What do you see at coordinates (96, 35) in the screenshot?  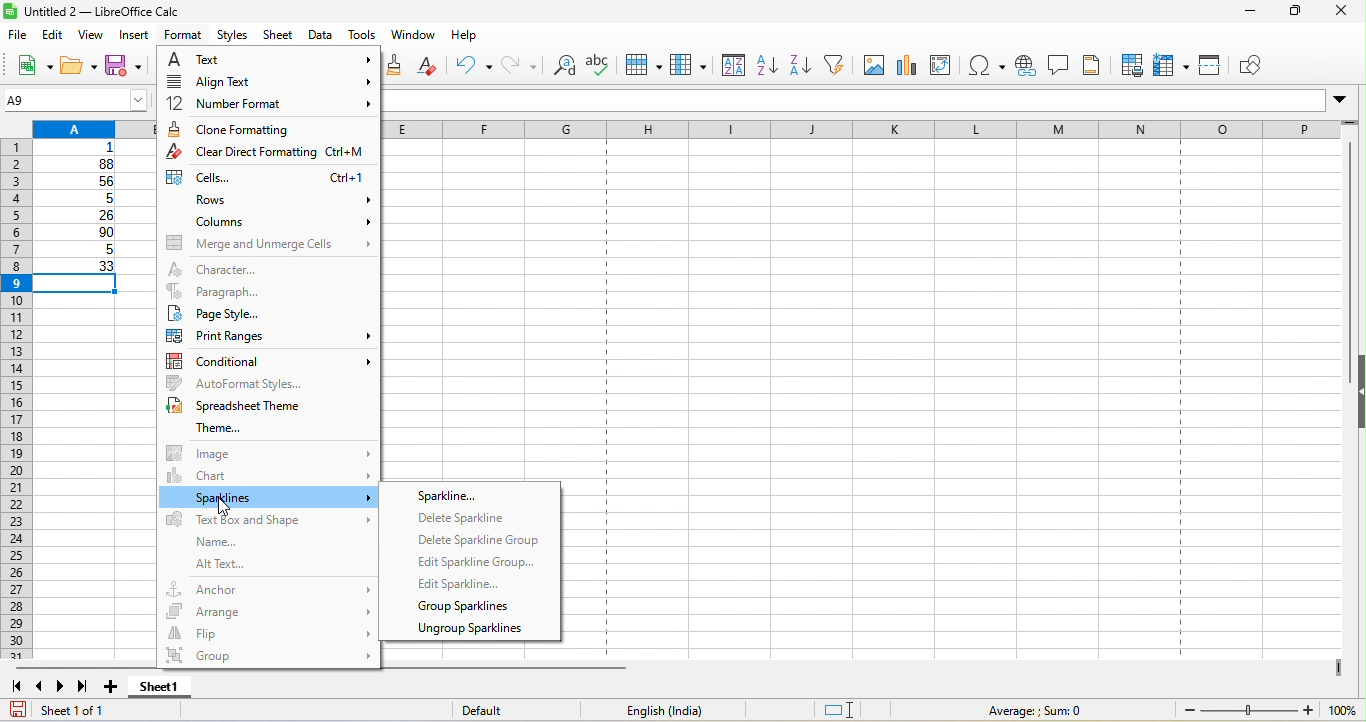 I see `view` at bounding box center [96, 35].